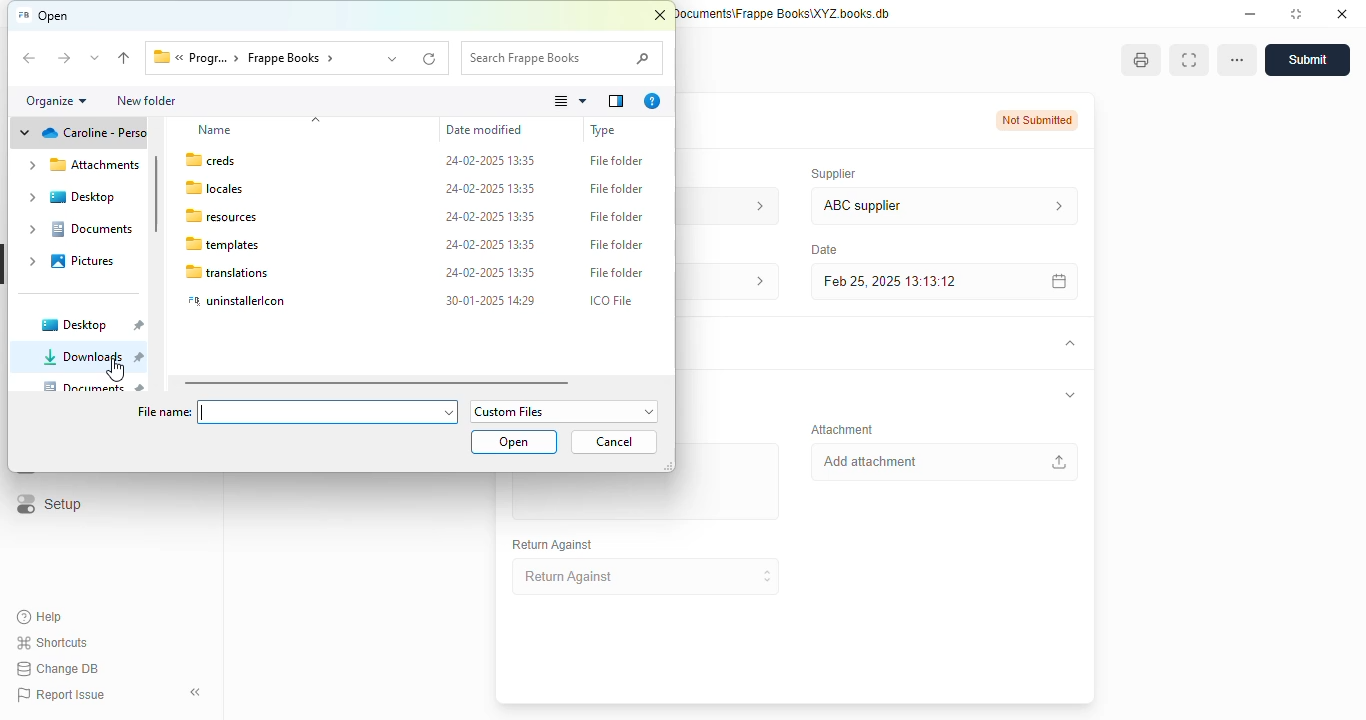  Describe the element at coordinates (57, 669) in the screenshot. I see `change DB` at that location.